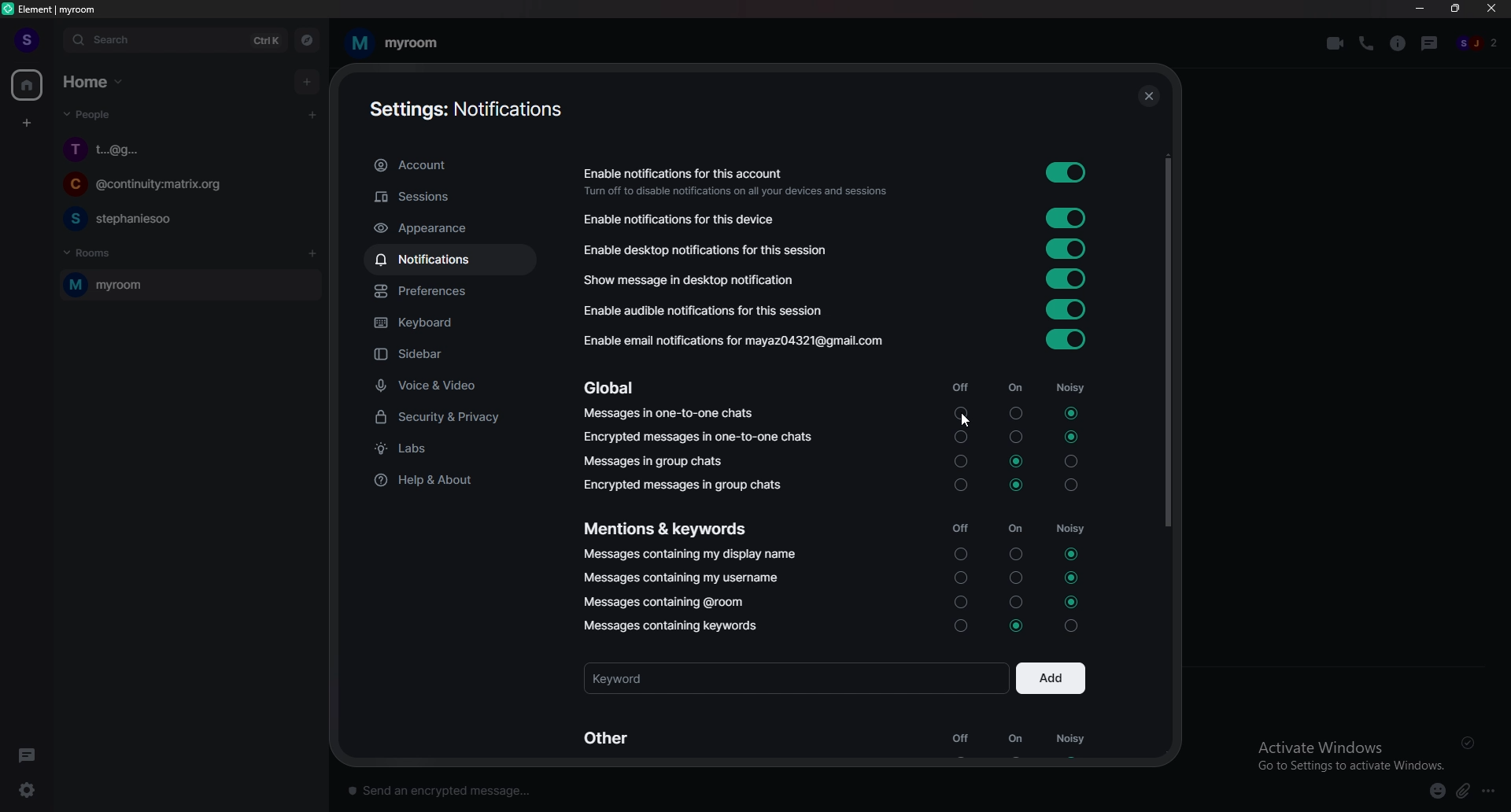 This screenshot has height=812, width=1511. I want to click on people, so click(91, 114).